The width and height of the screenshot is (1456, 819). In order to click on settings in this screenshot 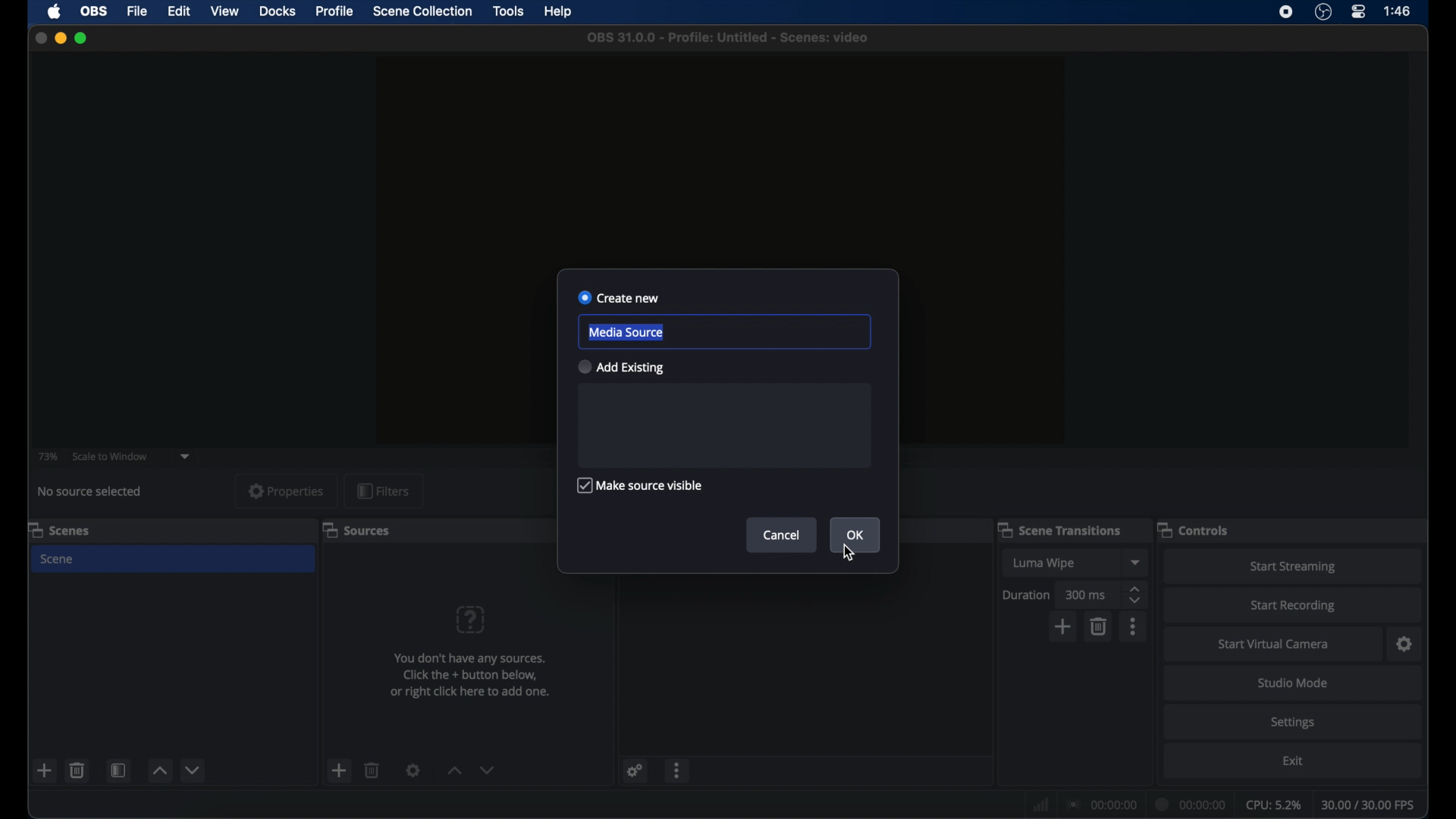, I will do `click(413, 770)`.